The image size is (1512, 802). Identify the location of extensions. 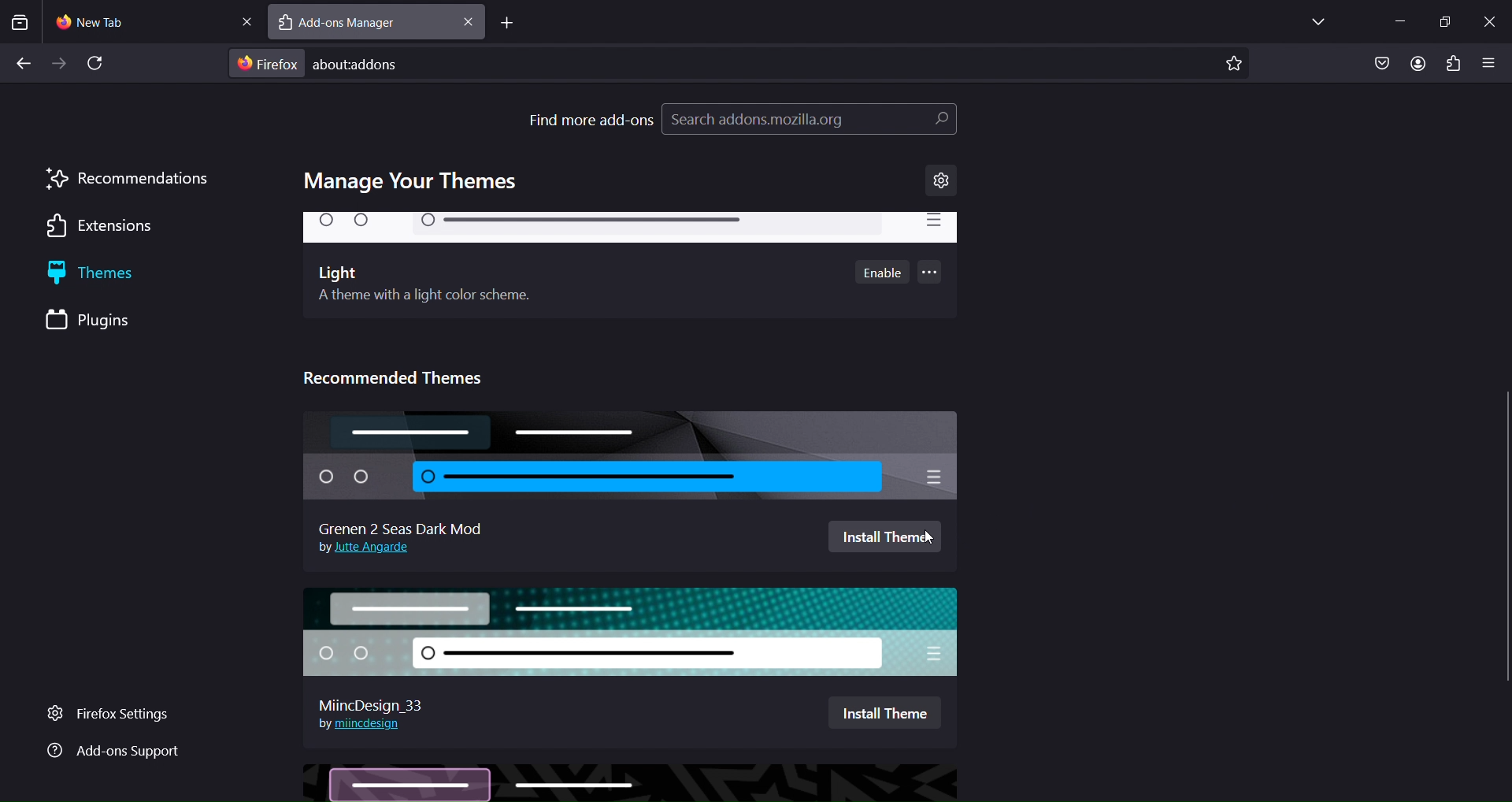
(108, 228).